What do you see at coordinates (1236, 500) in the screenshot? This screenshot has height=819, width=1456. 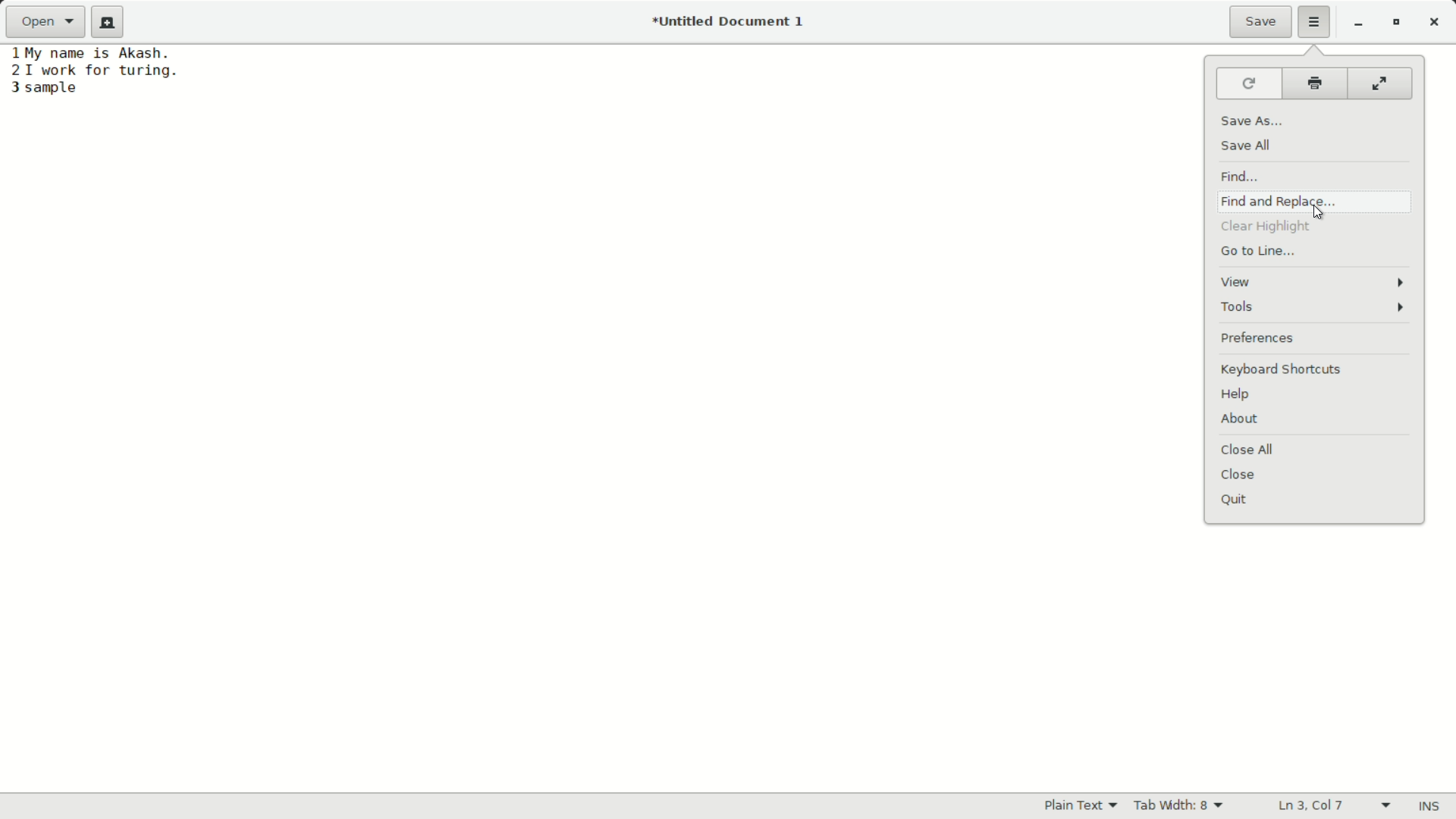 I see `quit` at bounding box center [1236, 500].